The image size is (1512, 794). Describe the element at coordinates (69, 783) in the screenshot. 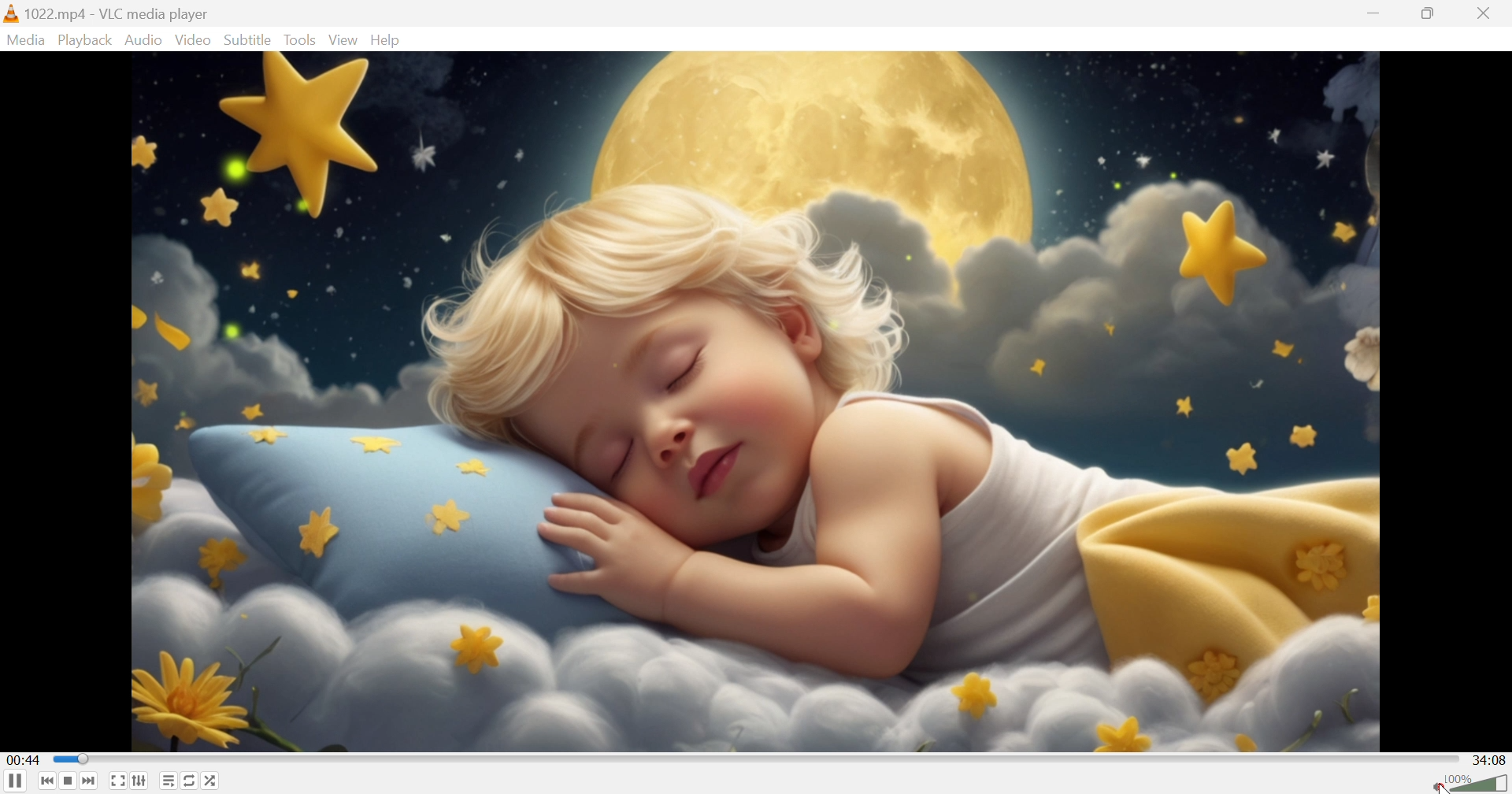

I see `Stop playback` at that location.